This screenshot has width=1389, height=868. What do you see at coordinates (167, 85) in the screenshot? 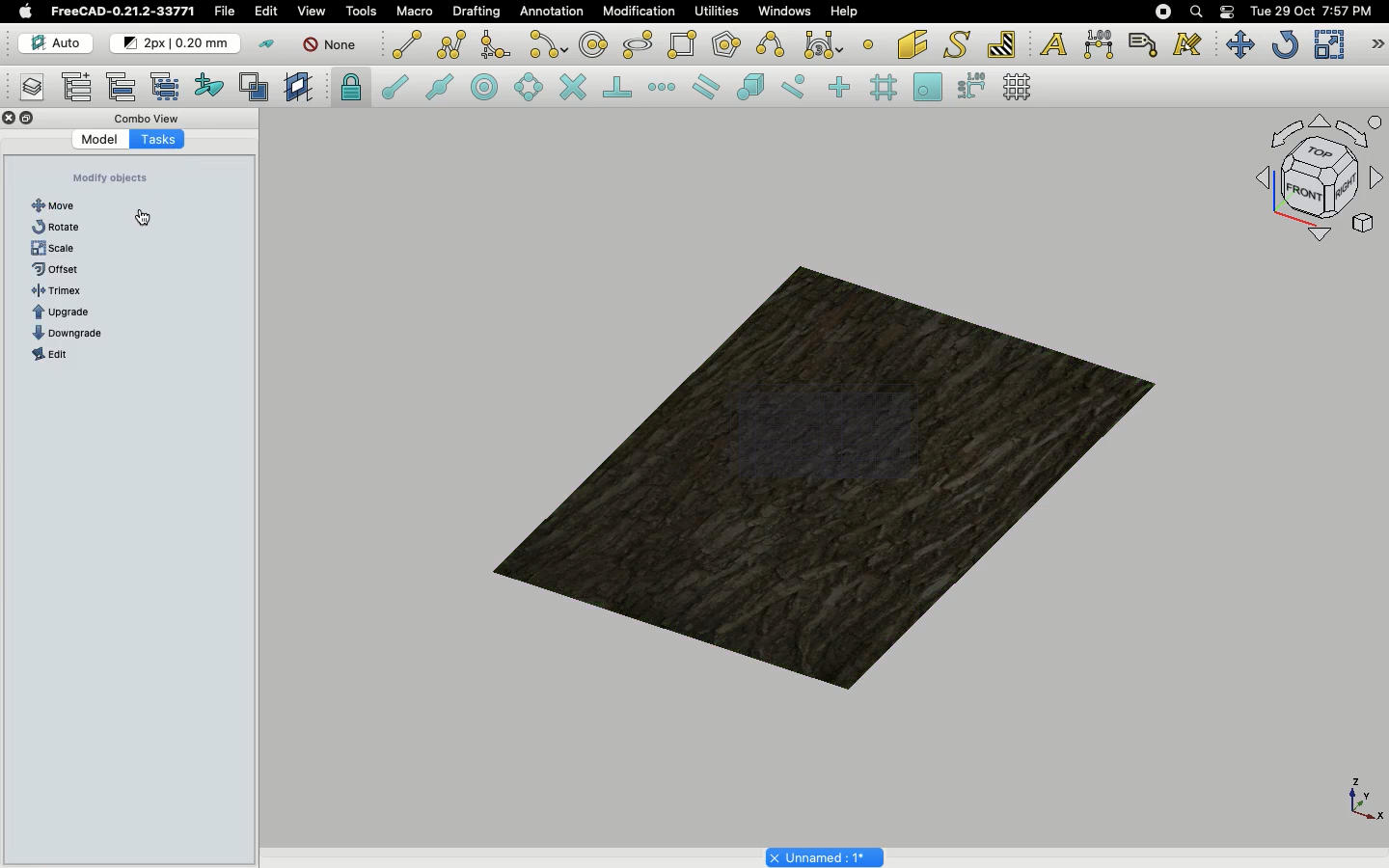
I see `Select group` at bounding box center [167, 85].